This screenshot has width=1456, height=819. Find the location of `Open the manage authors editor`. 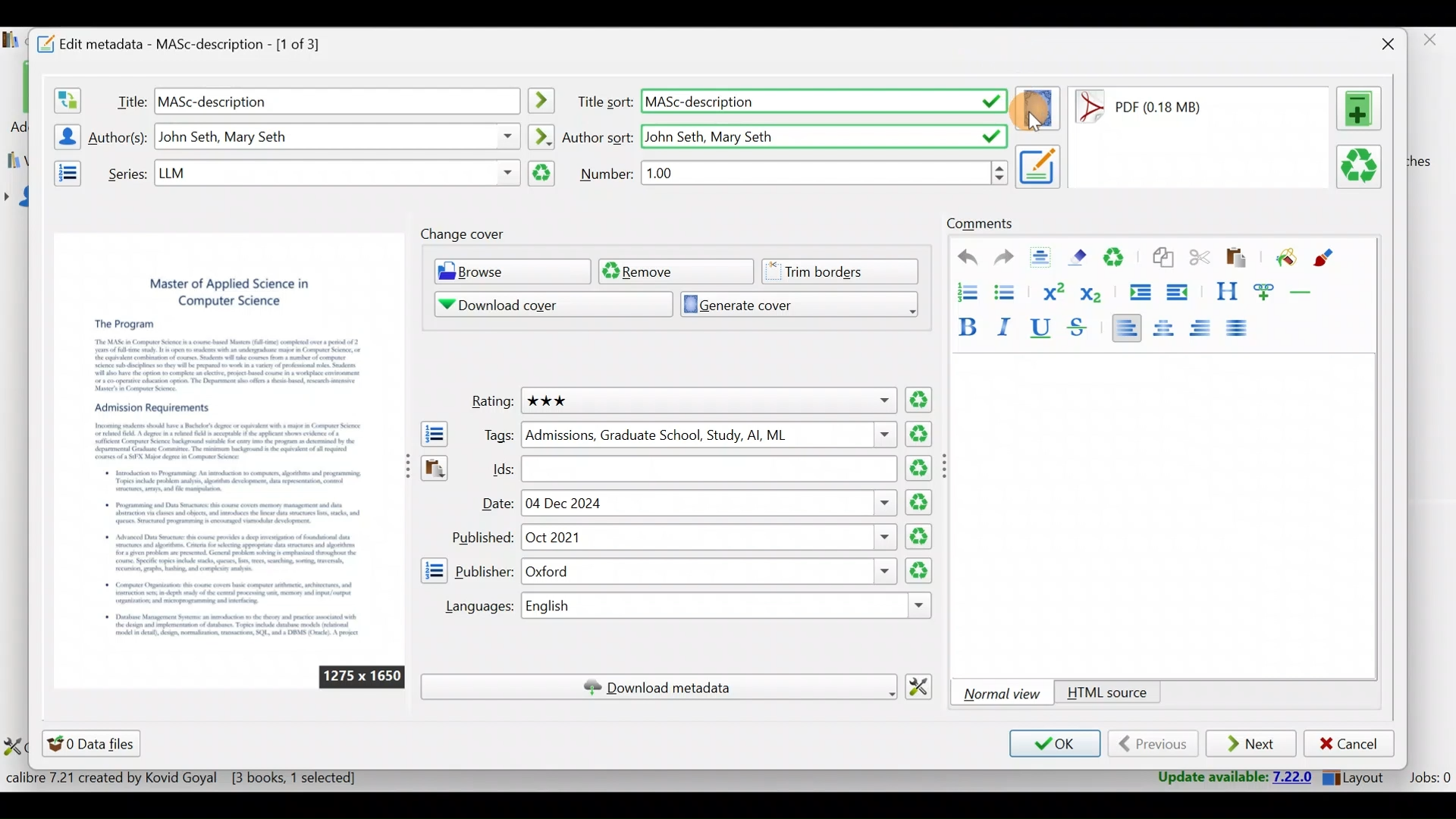

Open the manage authors editor is located at coordinates (63, 134).